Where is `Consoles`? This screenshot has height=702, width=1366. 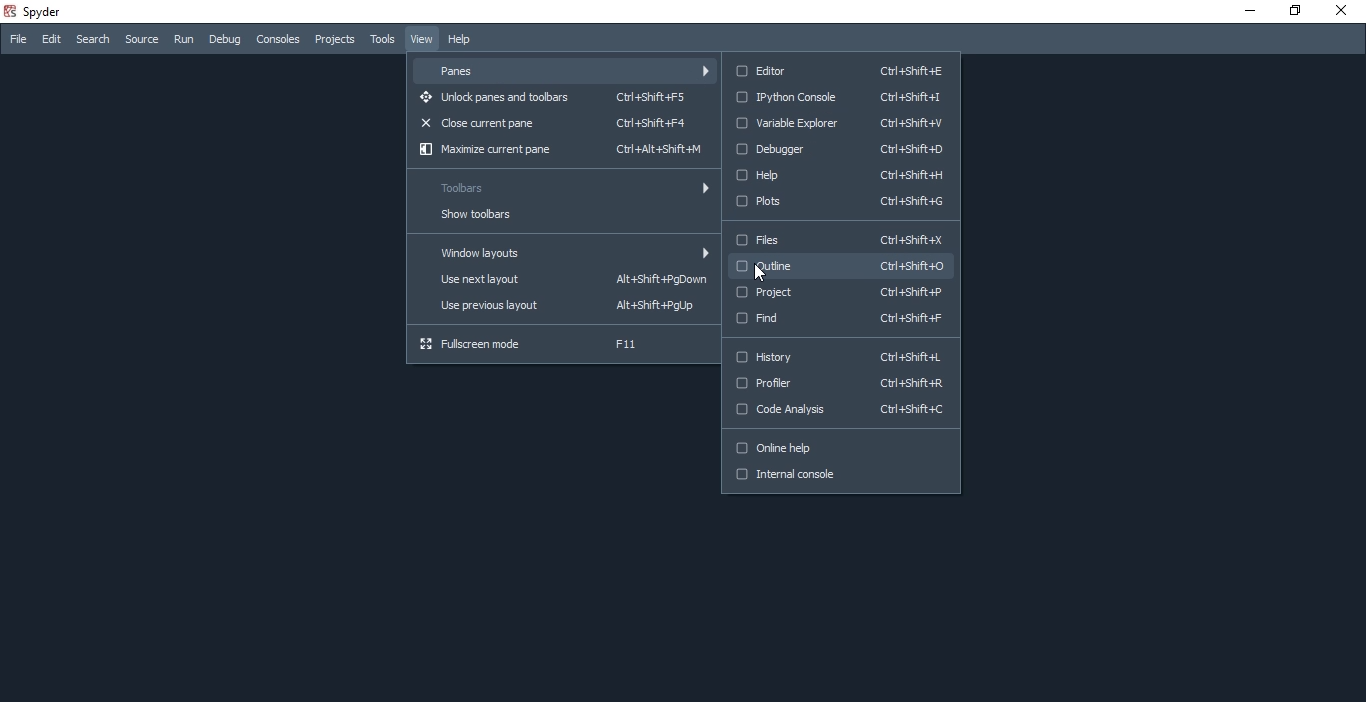
Consoles is located at coordinates (280, 38).